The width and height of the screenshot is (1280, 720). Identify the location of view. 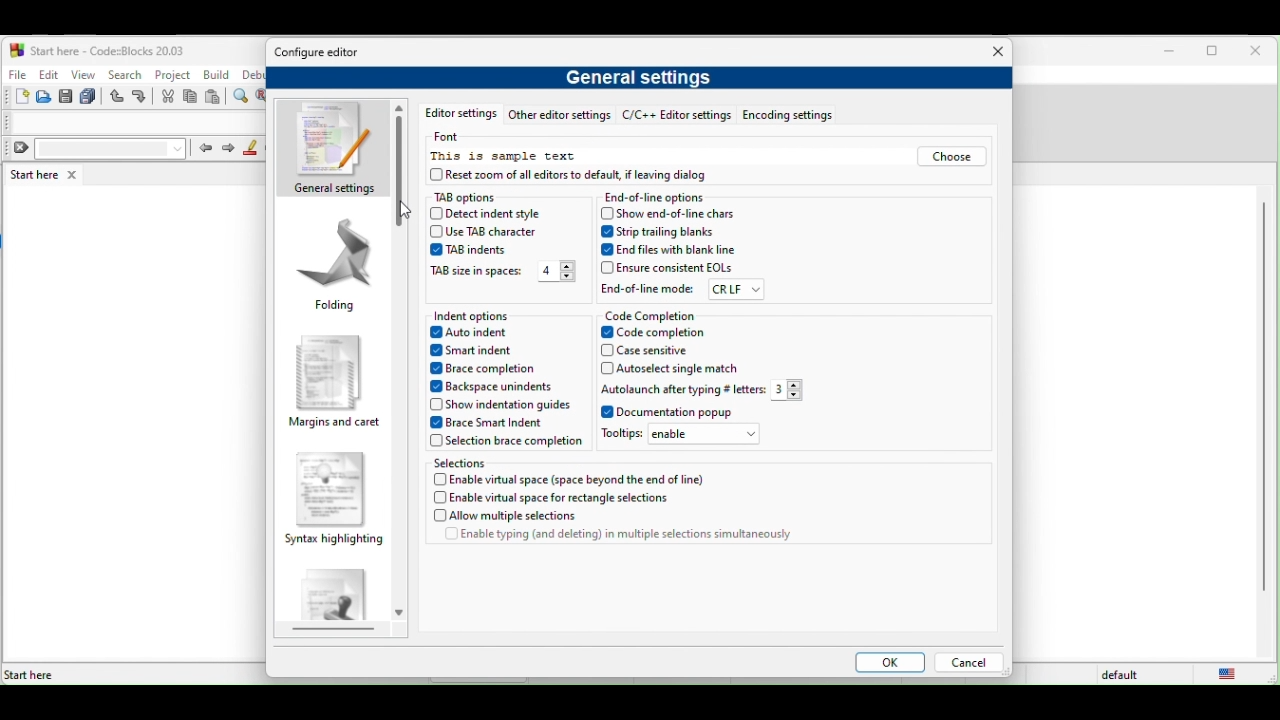
(84, 74).